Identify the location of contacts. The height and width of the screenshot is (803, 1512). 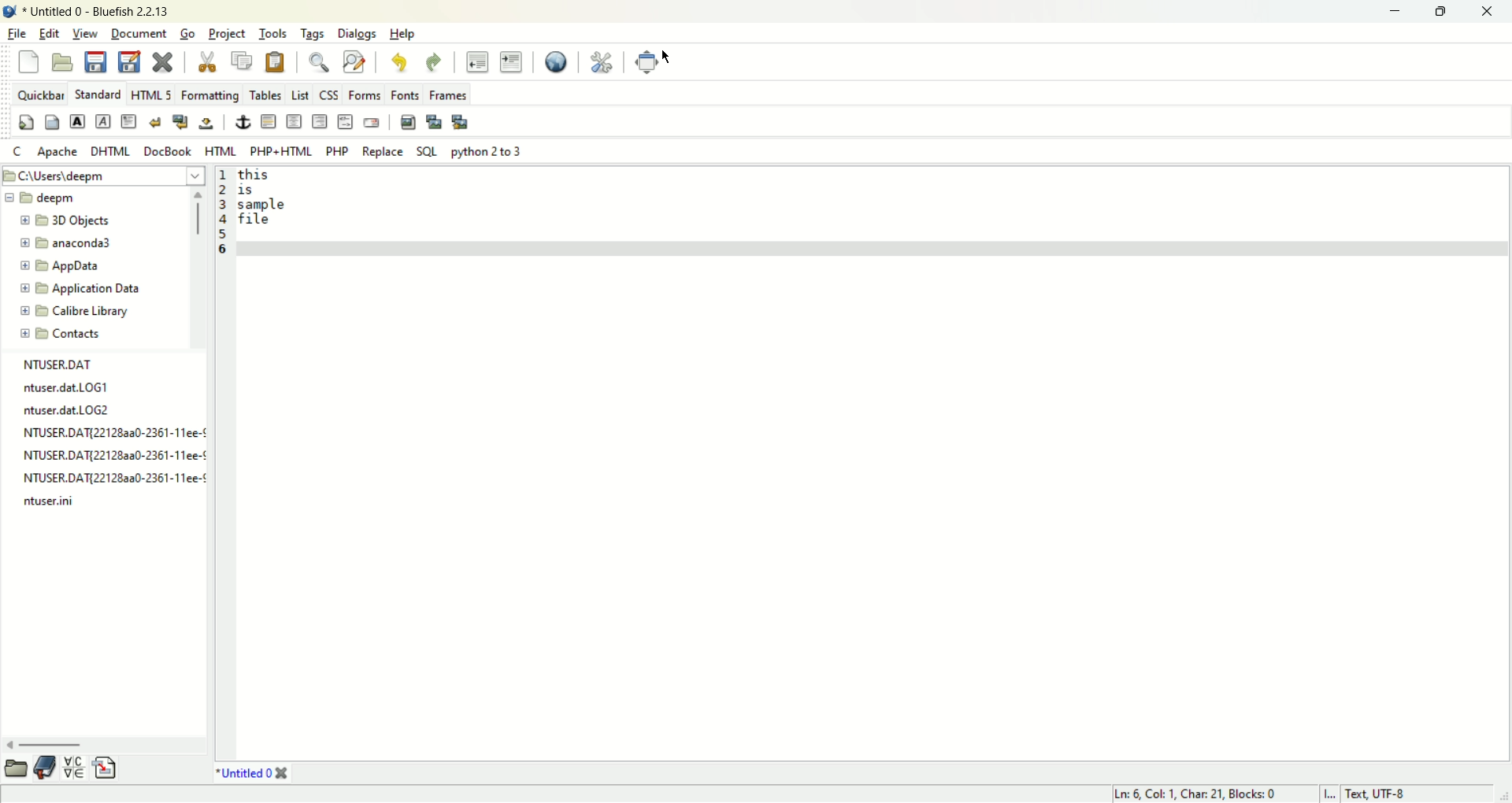
(61, 335).